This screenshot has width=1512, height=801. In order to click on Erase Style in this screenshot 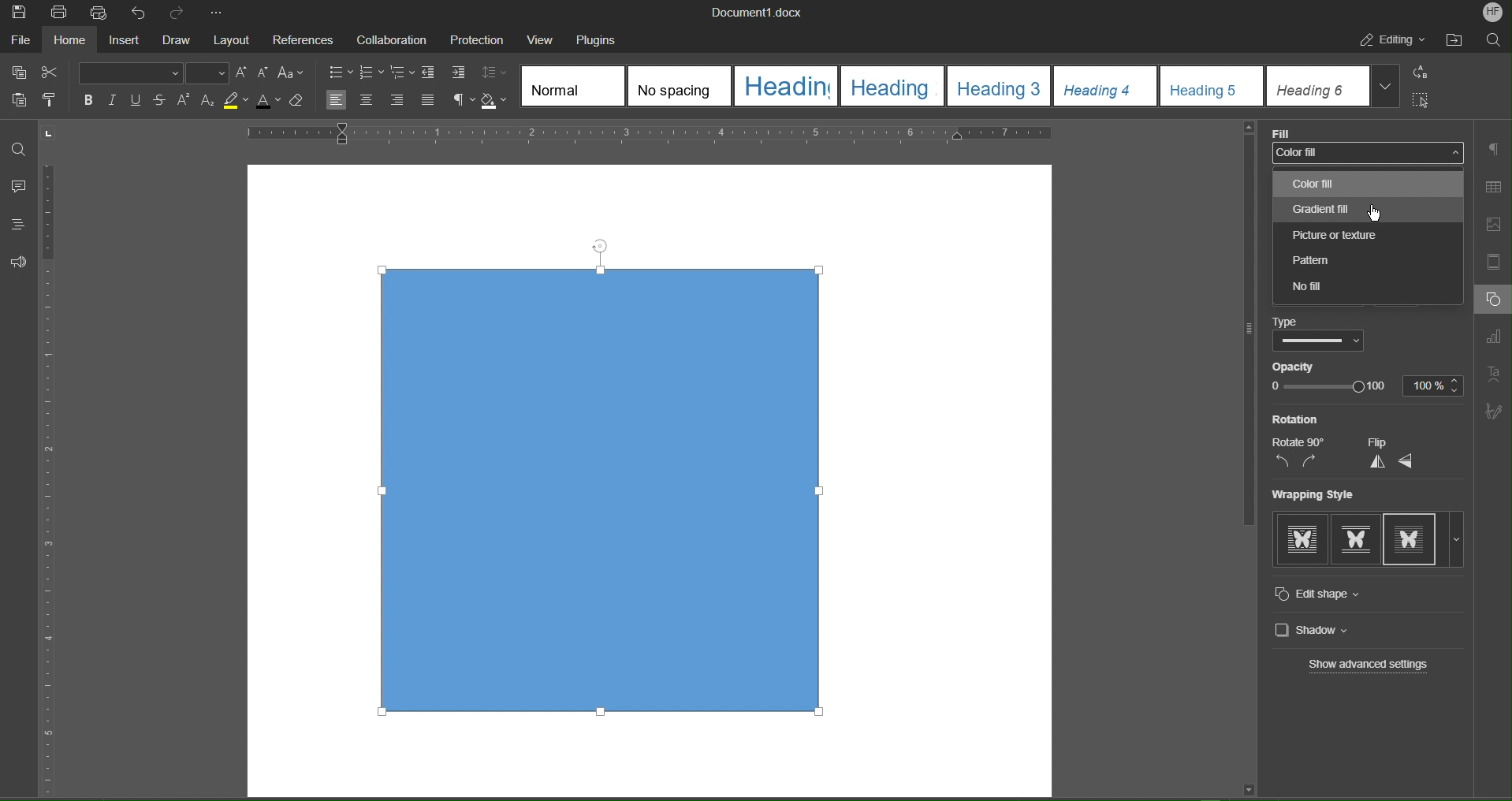, I will do `click(298, 102)`.